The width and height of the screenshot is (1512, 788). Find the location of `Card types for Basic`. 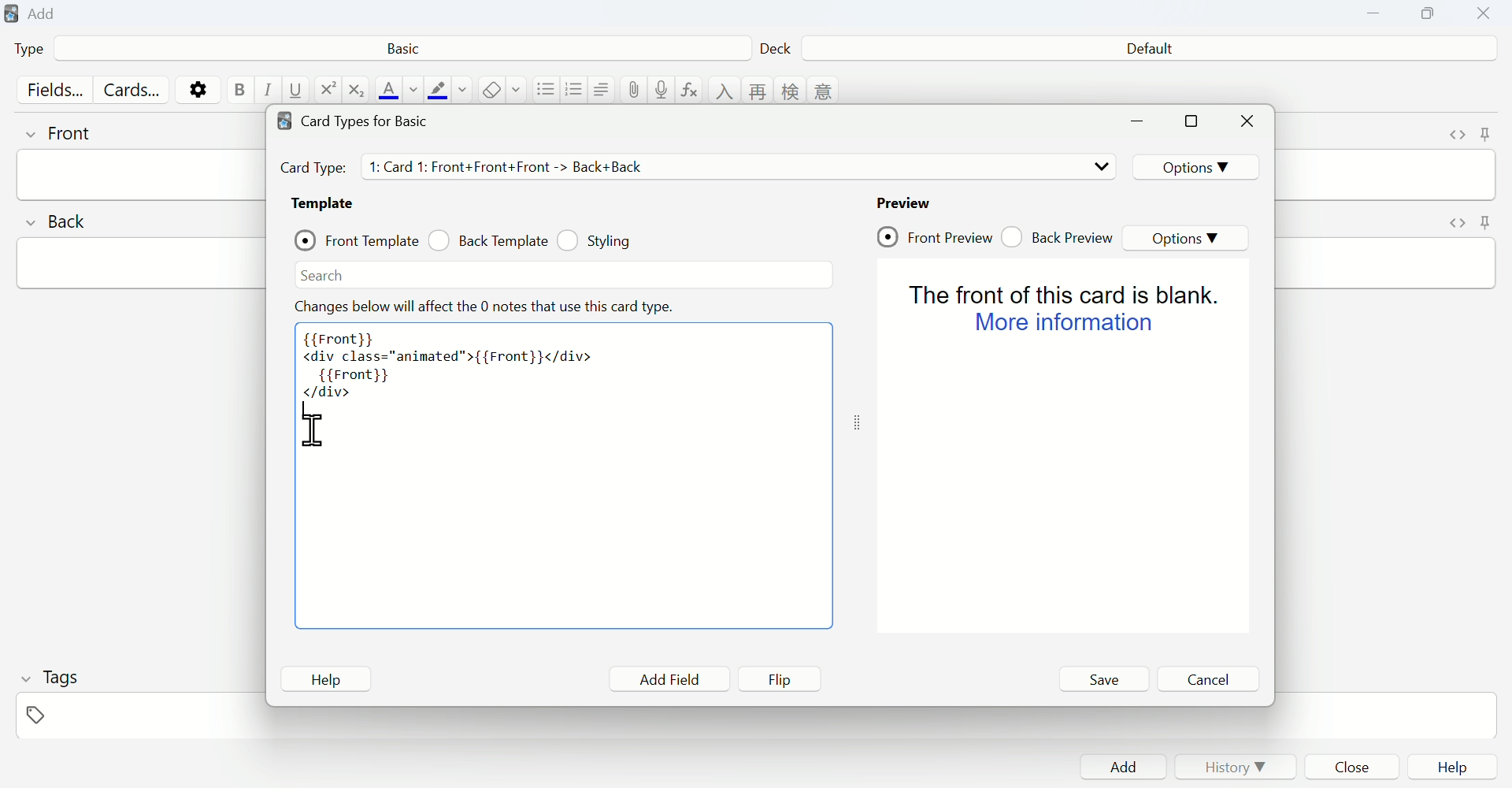

Card types for Basic is located at coordinates (363, 118).